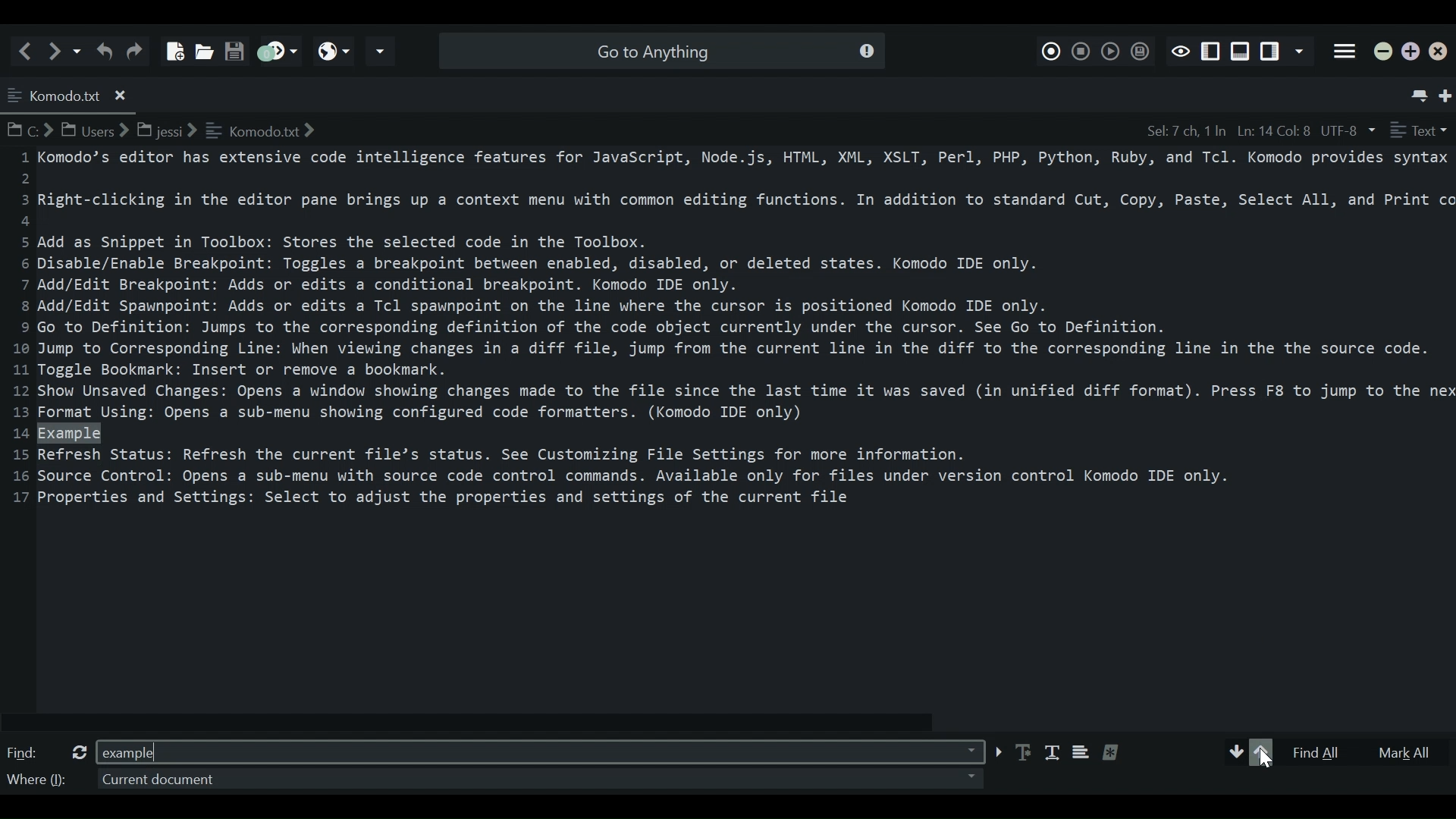 This screenshot has width=1456, height=819. Describe the element at coordinates (1138, 51) in the screenshot. I see `Save Macro to Toolbox as Superscript` at that location.